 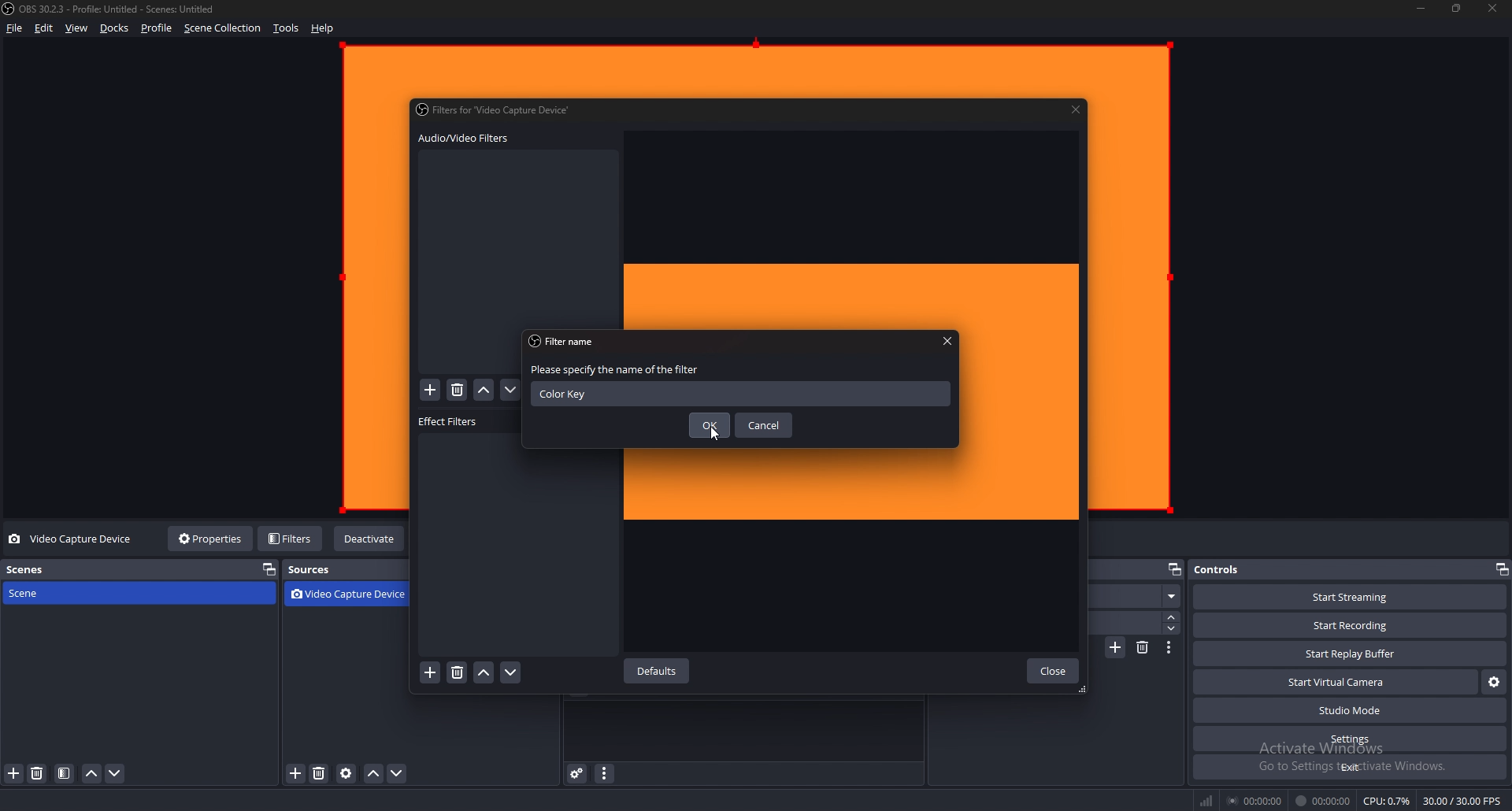 What do you see at coordinates (1494, 9) in the screenshot?
I see `close` at bounding box center [1494, 9].